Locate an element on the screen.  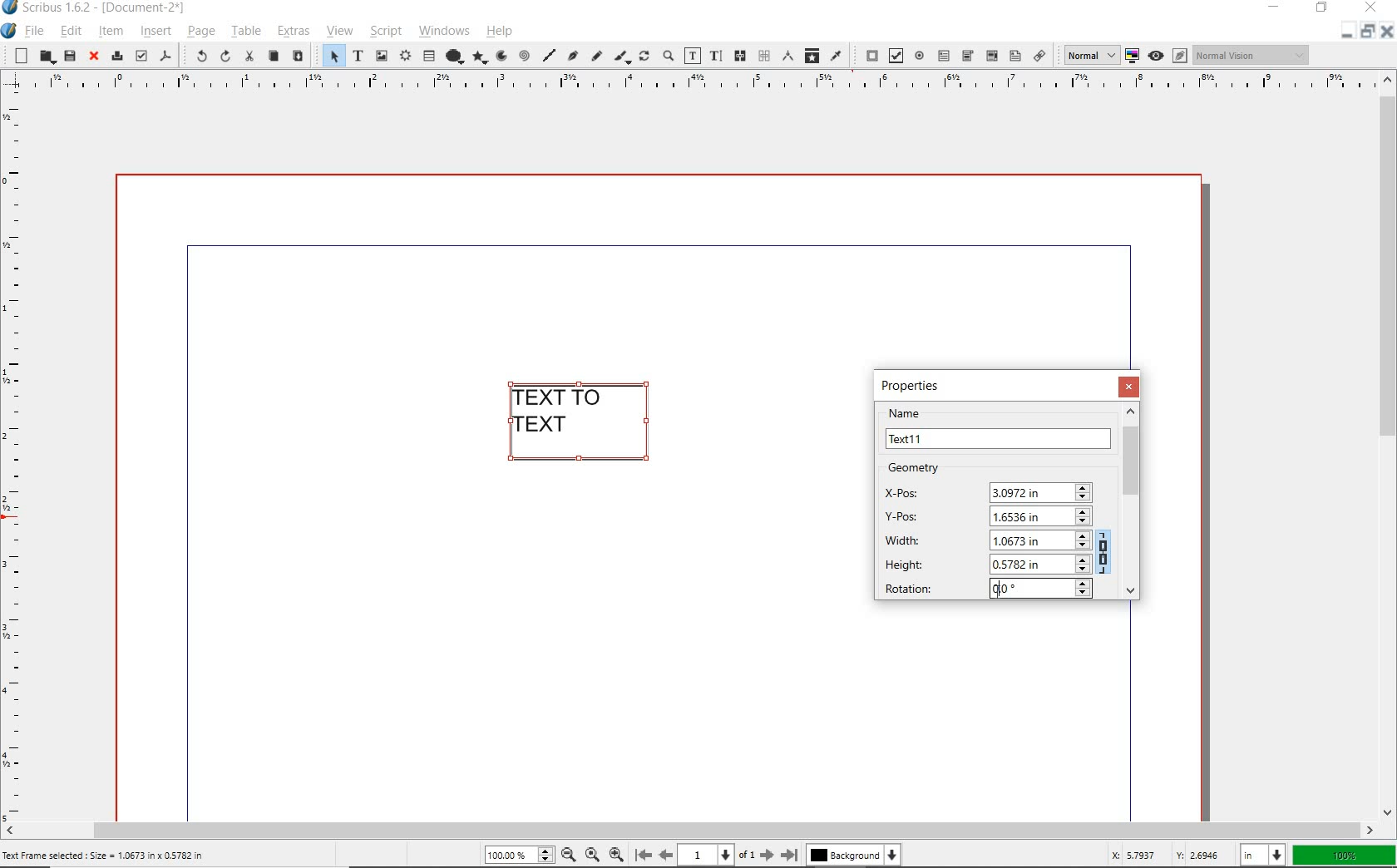
image frame is located at coordinates (383, 57).